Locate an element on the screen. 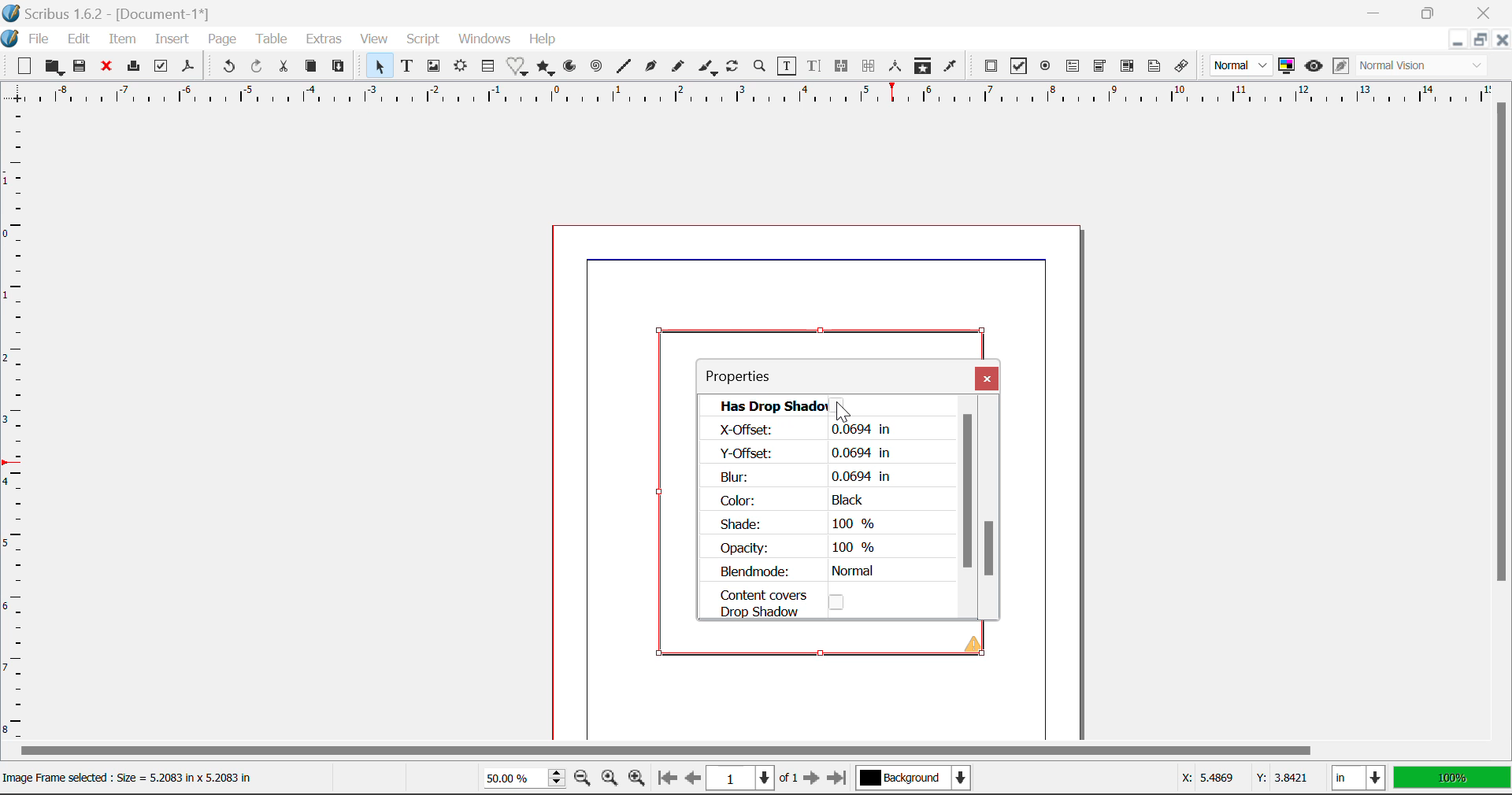  Zoom out is located at coordinates (582, 779).